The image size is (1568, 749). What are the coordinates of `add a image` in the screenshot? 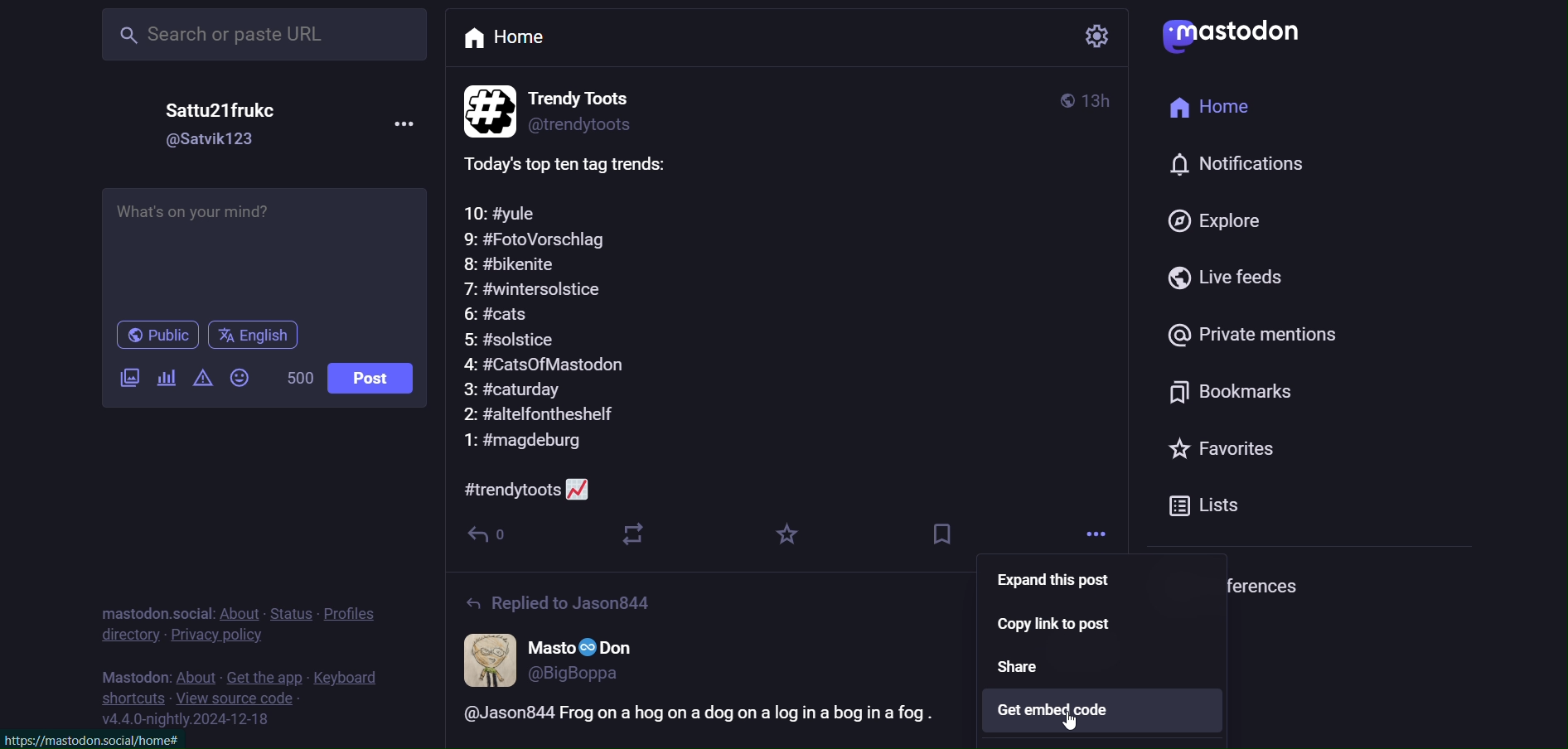 It's located at (122, 379).